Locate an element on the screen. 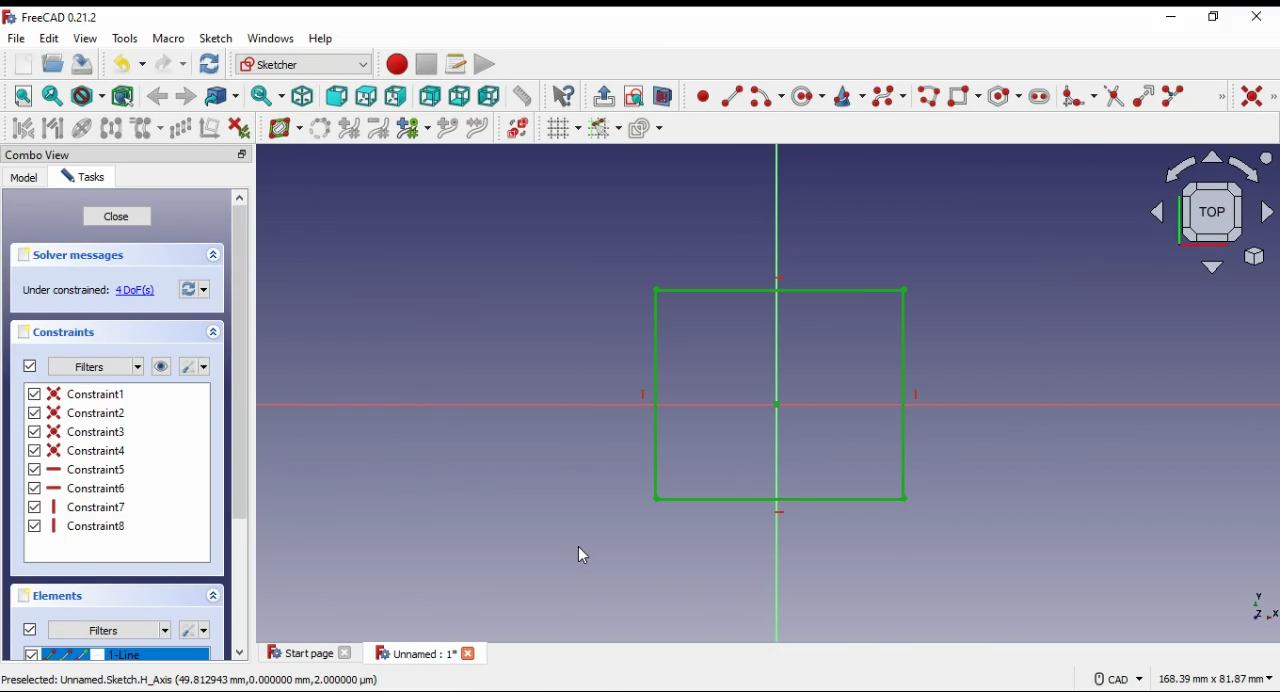 The height and width of the screenshot is (692, 1280). file is located at coordinates (18, 38).